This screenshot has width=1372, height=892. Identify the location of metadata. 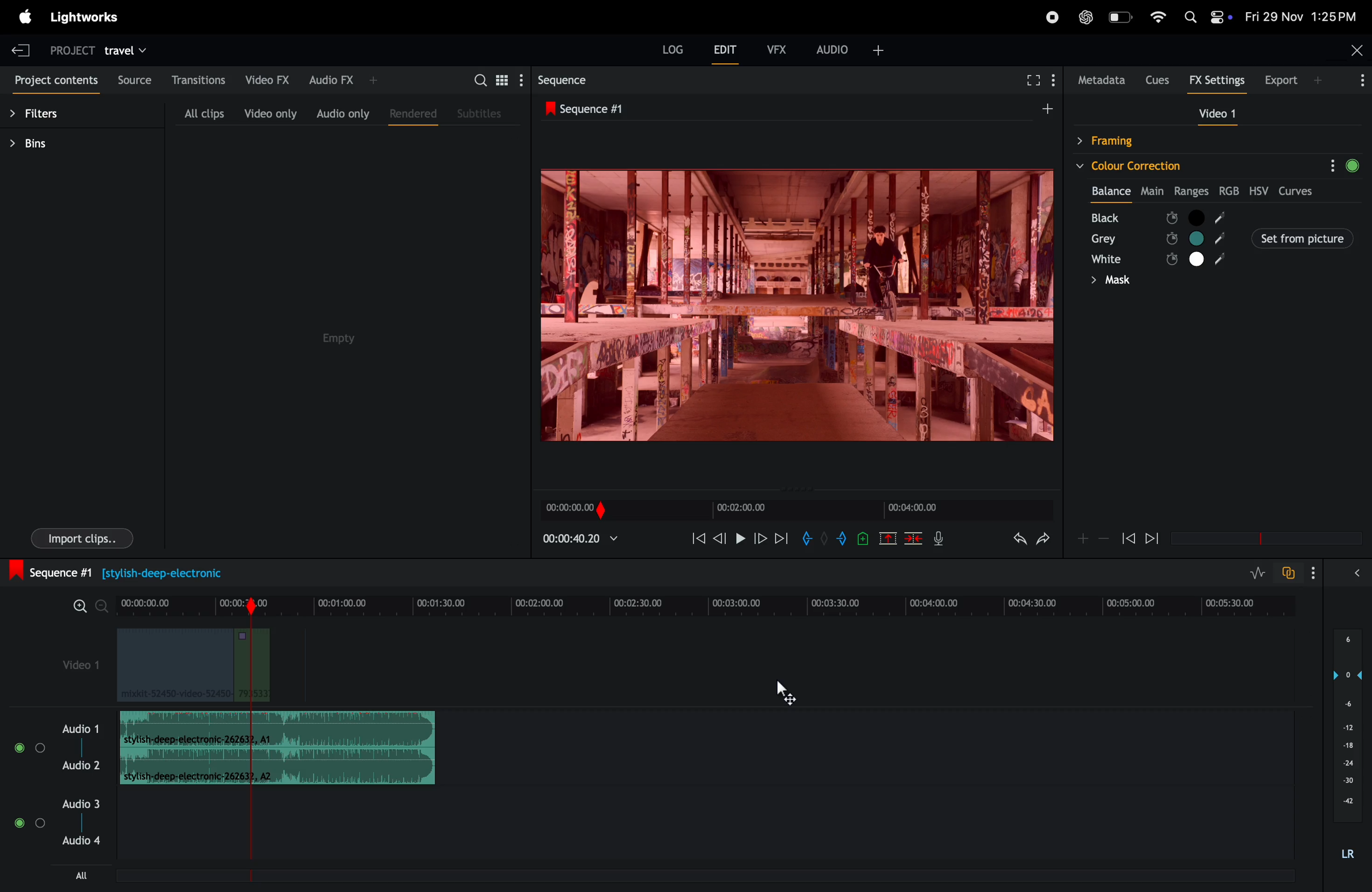
(1099, 80).